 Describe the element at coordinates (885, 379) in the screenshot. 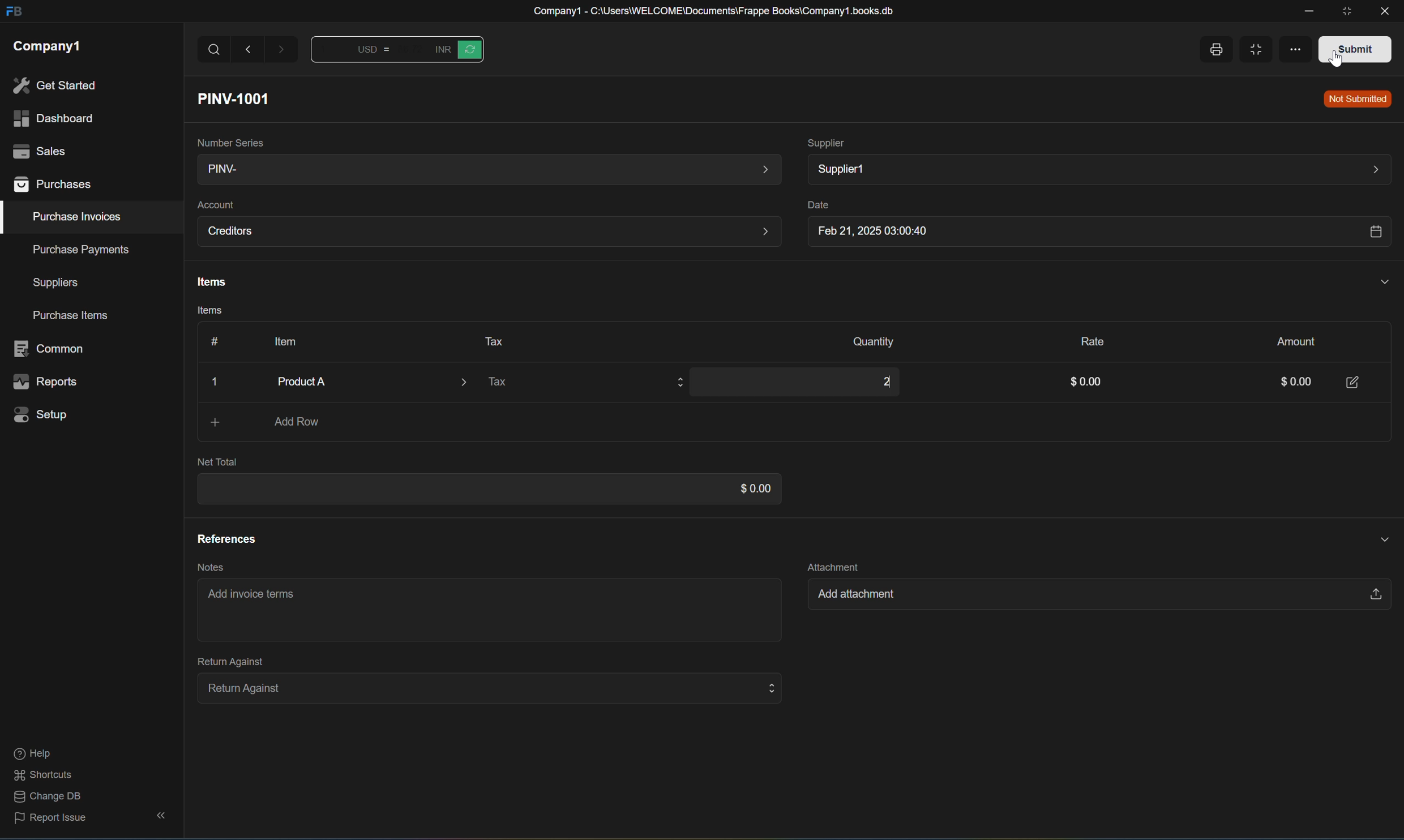

I see `2` at that location.